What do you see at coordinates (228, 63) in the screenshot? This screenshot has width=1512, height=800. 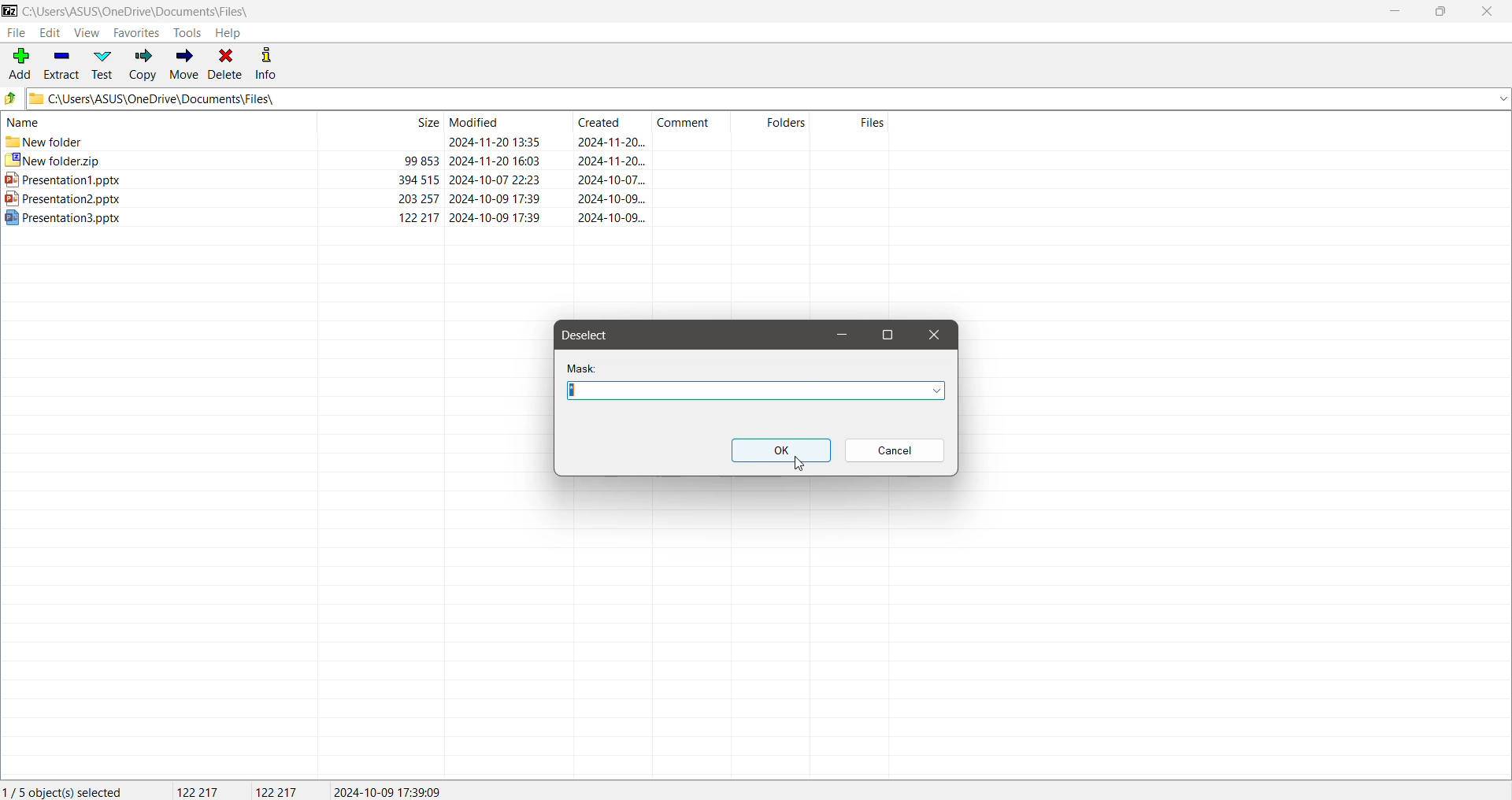 I see `Delete` at bounding box center [228, 63].